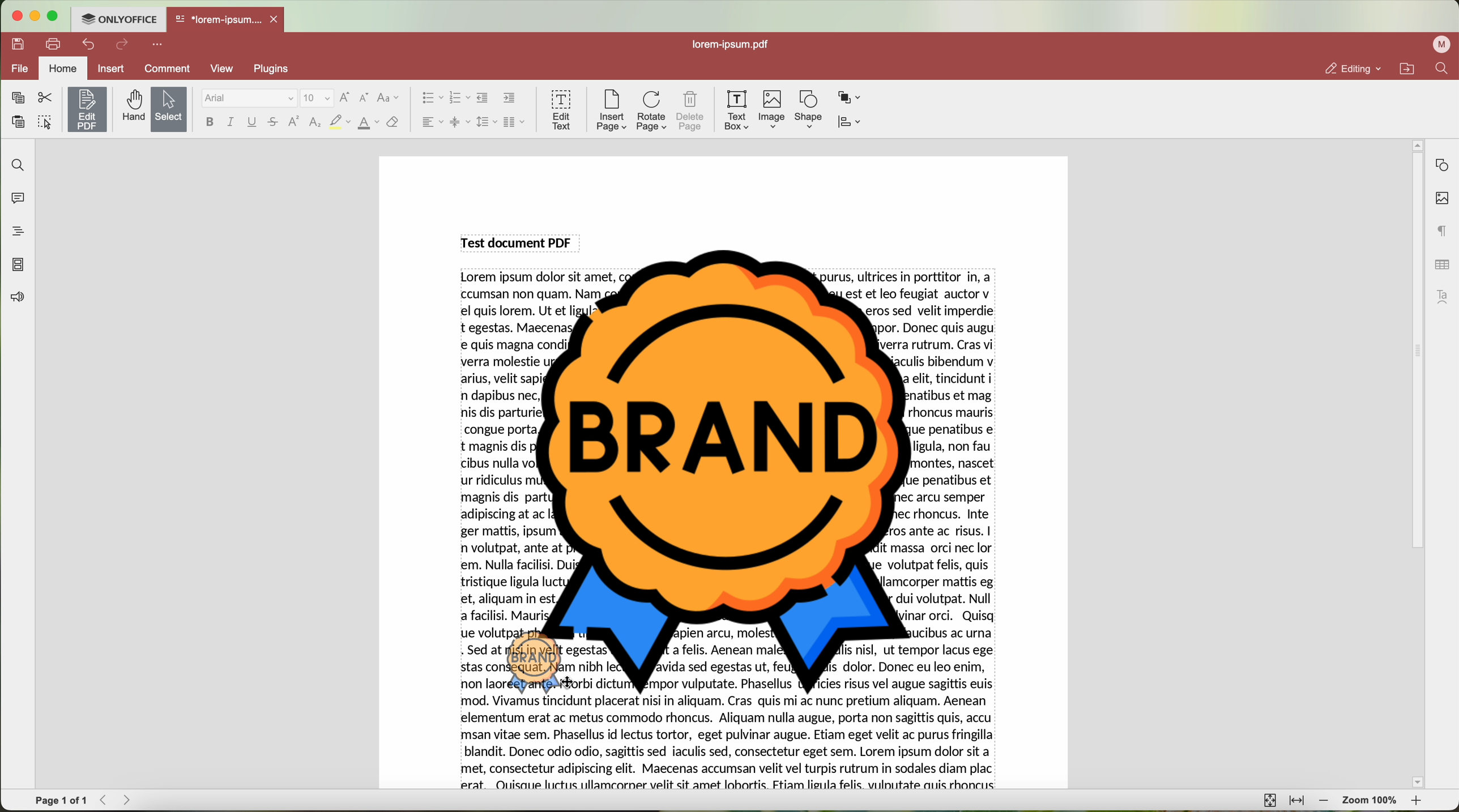 The height and width of the screenshot is (812, 1459). Describe the element at coordinates (317, 99) in the screenshot. I see `size font` at that location.